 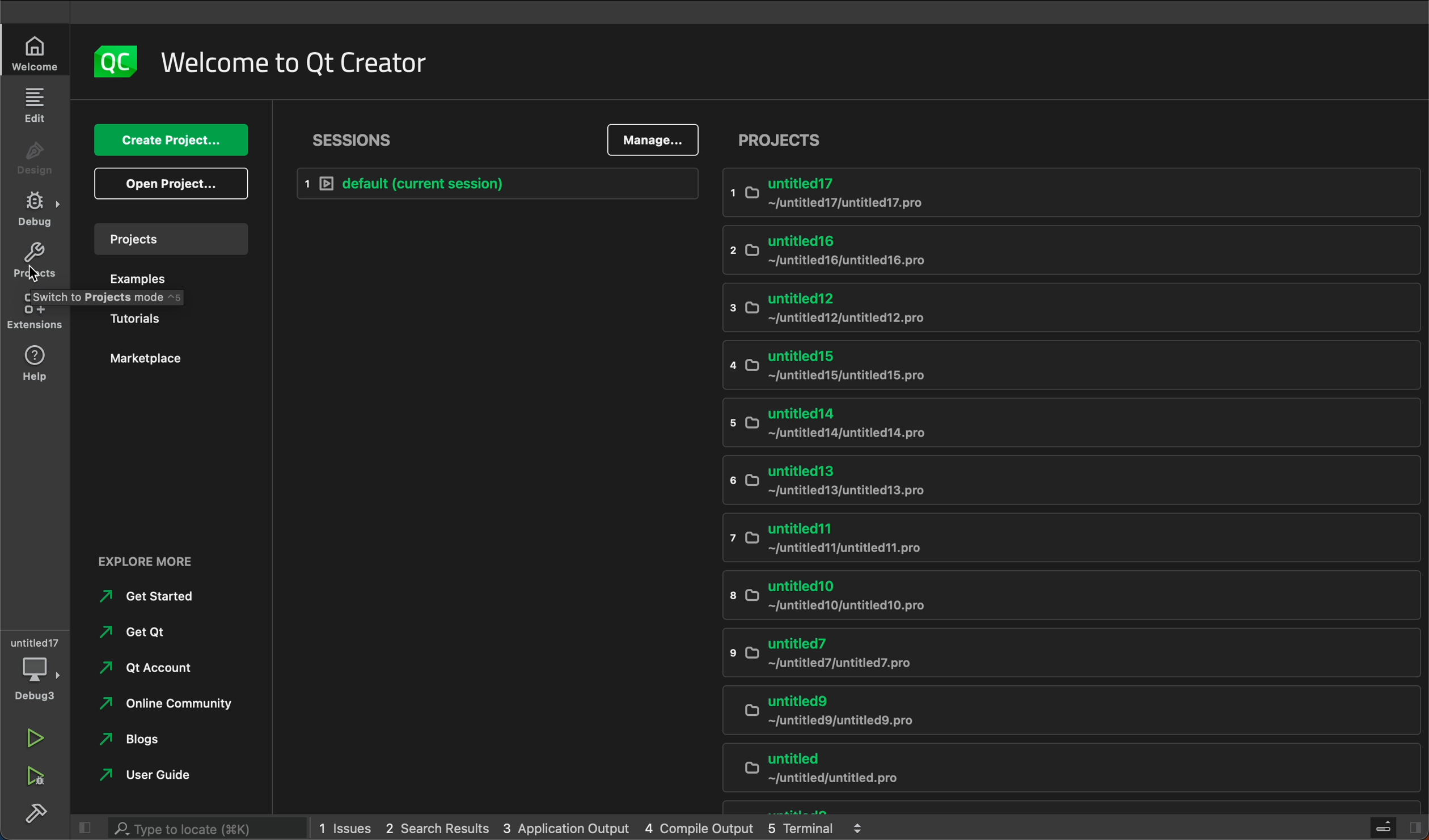 I want to click on debug, so click(x=35, y=207).